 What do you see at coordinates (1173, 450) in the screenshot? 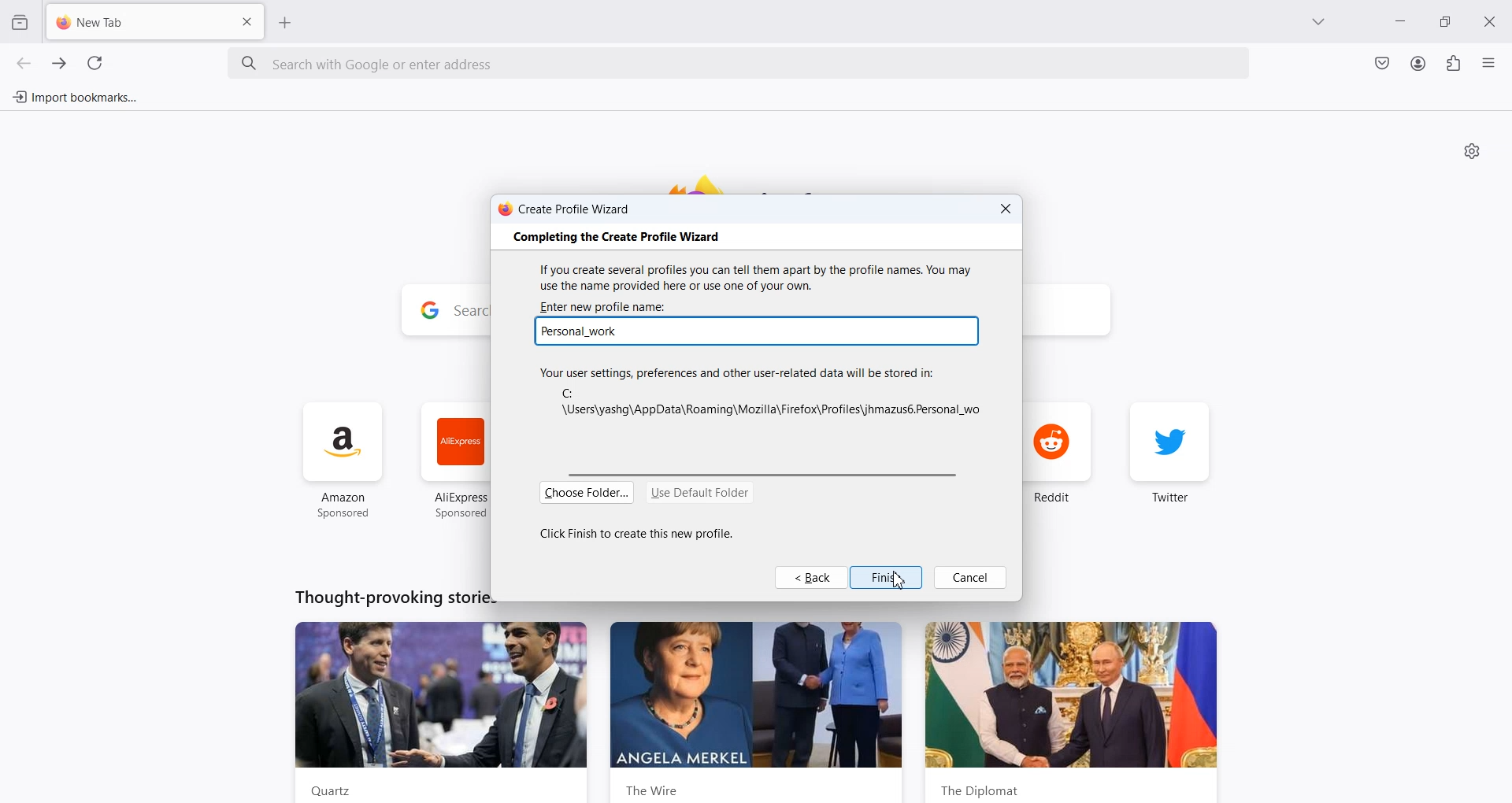
I see `twiter` at bounding box center [1173, 450].